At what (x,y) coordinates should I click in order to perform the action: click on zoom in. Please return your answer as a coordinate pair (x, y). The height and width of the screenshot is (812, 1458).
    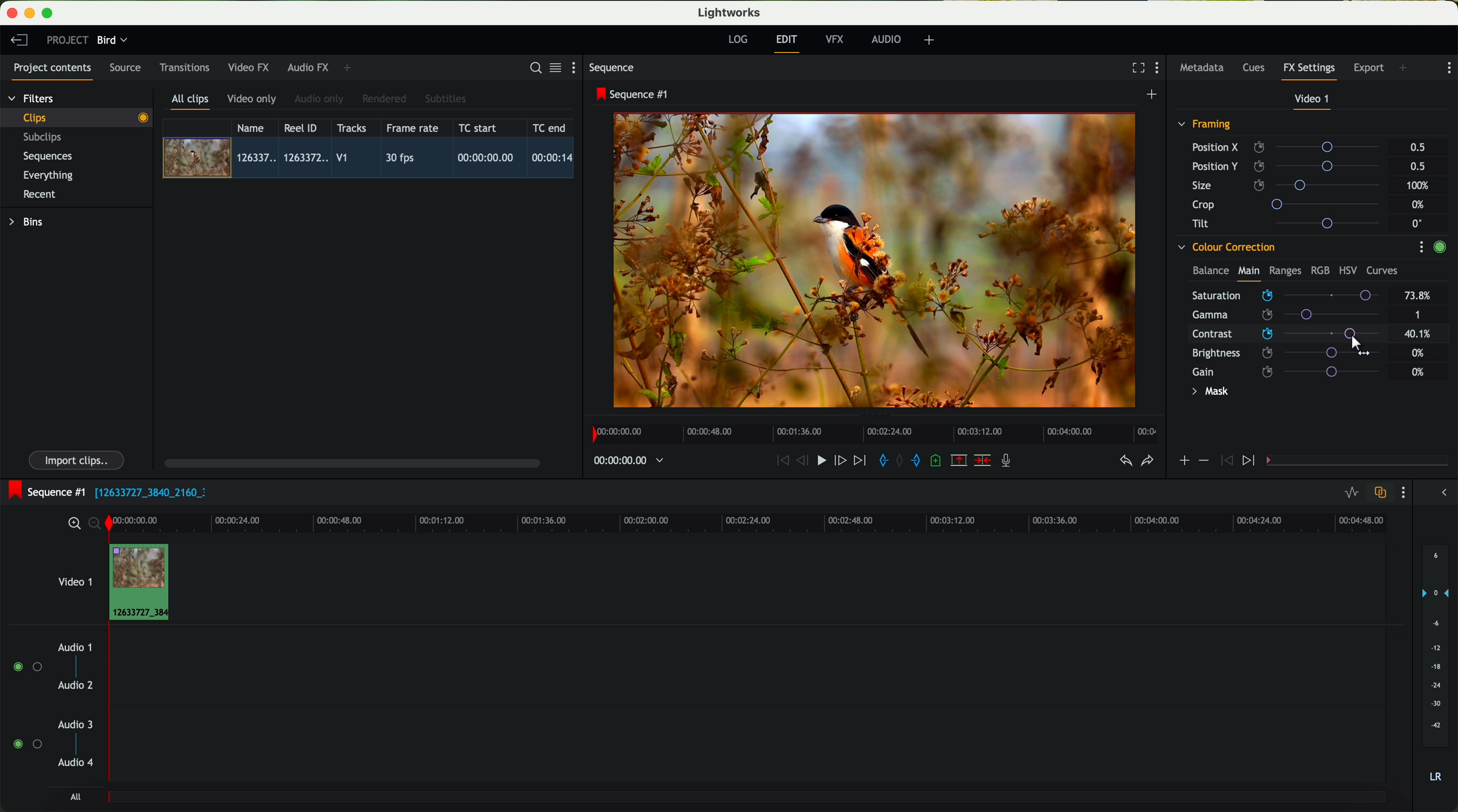
    Looking at the image, I should click on (72, 524).